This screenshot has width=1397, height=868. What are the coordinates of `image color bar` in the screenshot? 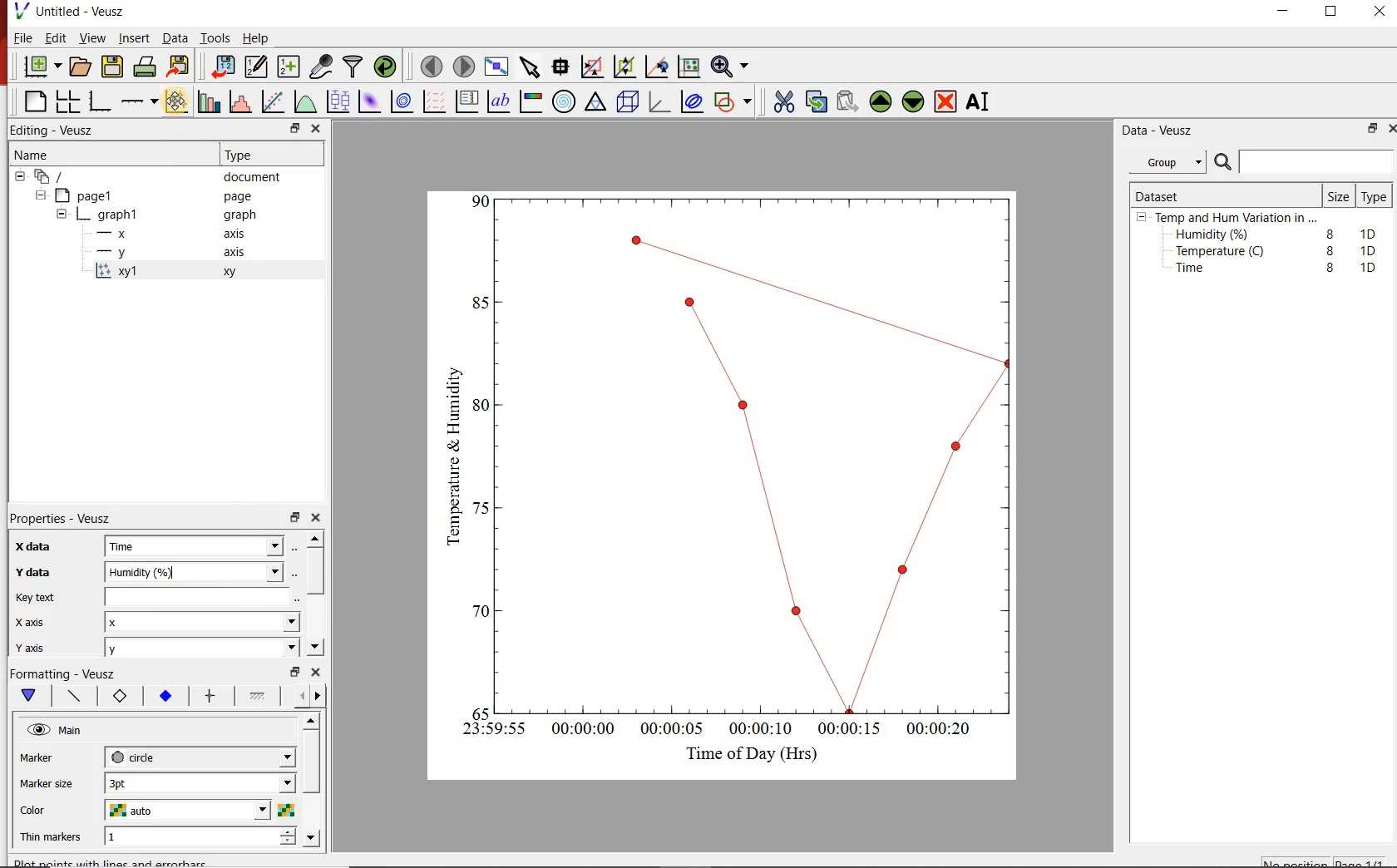 It's located at (534, 101).